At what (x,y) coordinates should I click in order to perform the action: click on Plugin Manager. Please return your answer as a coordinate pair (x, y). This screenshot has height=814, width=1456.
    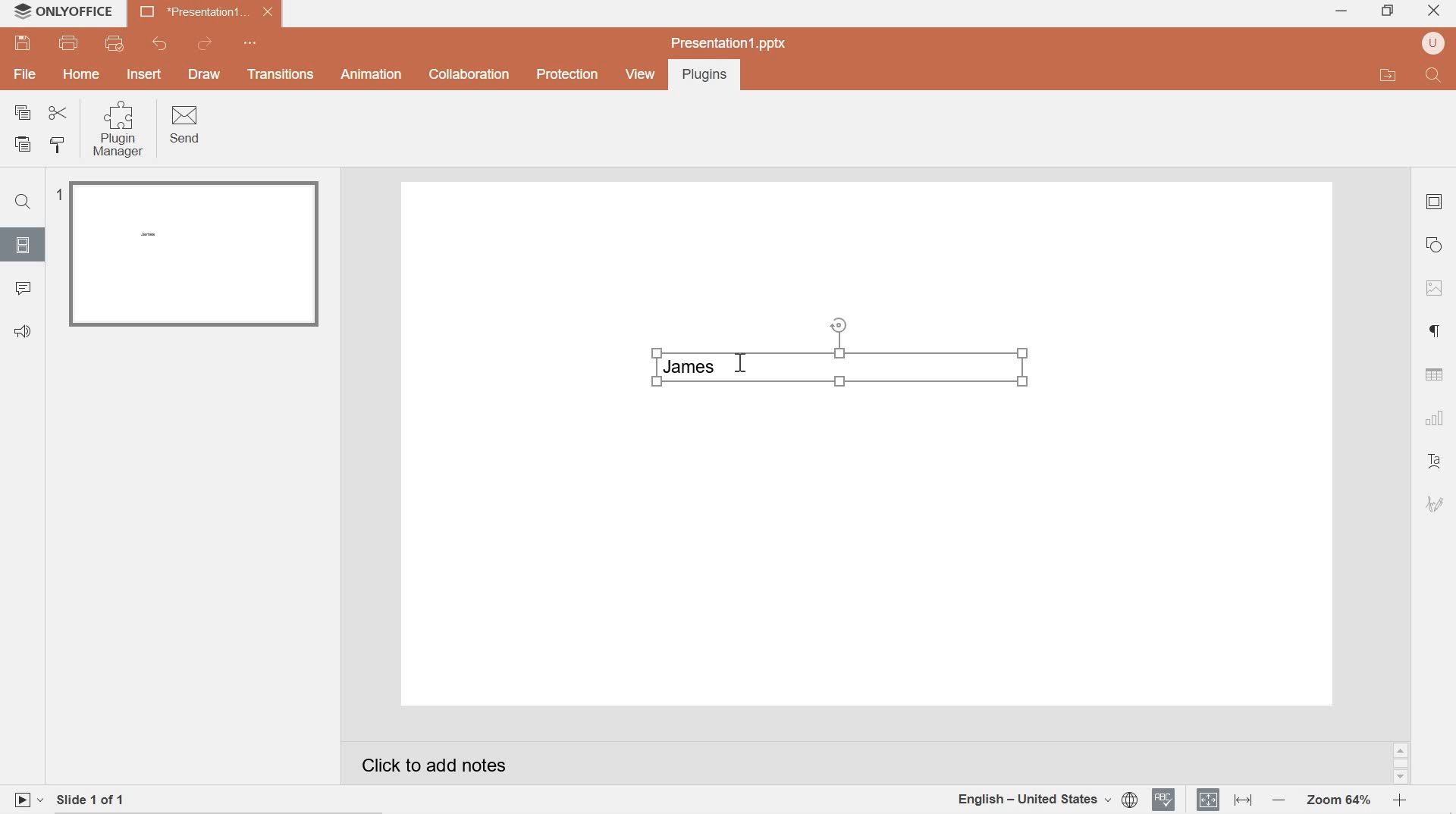
    Looking at the image, I should click on (121, 130).